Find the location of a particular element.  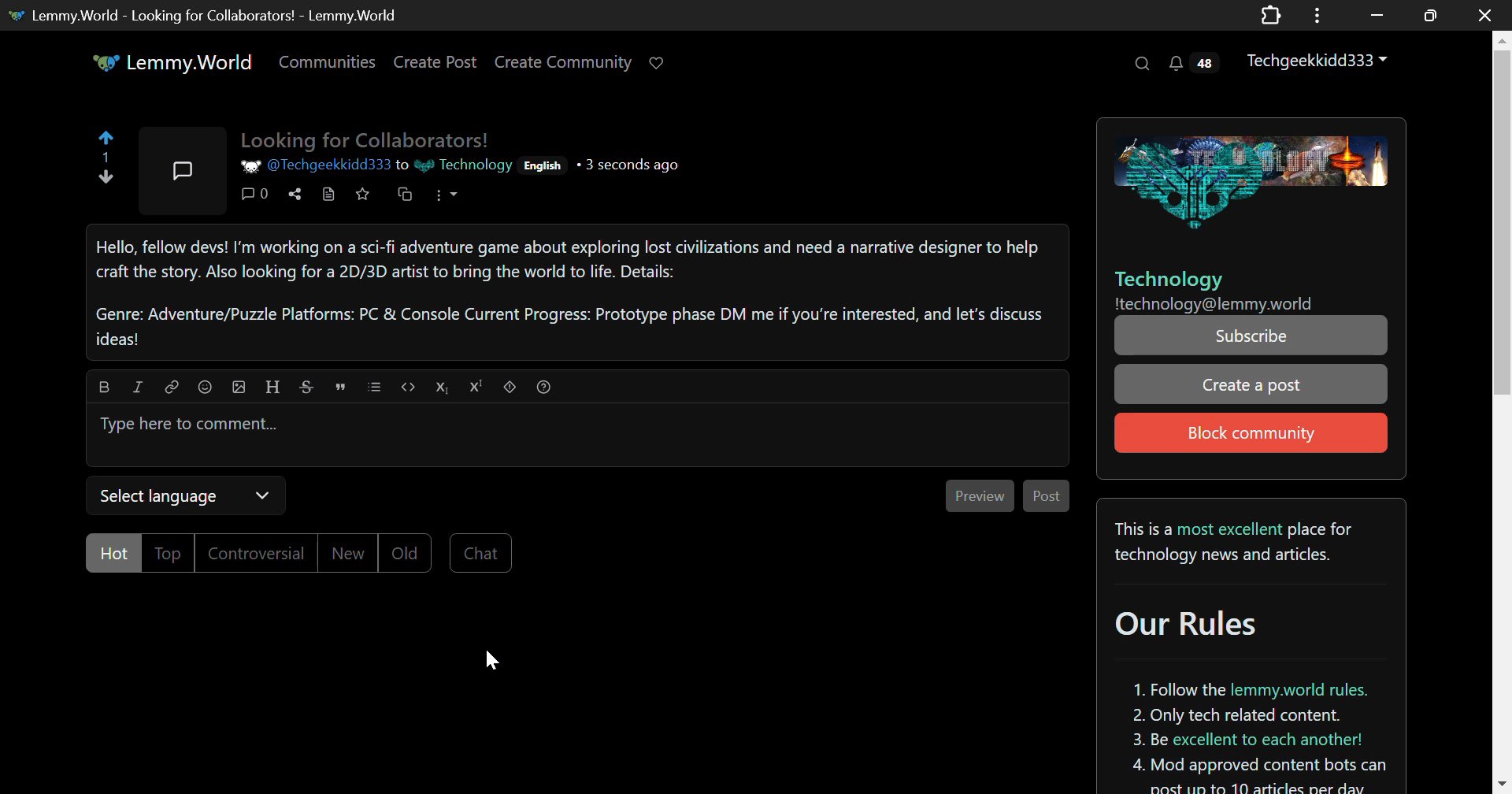

English is located at coordinates (543, 167).